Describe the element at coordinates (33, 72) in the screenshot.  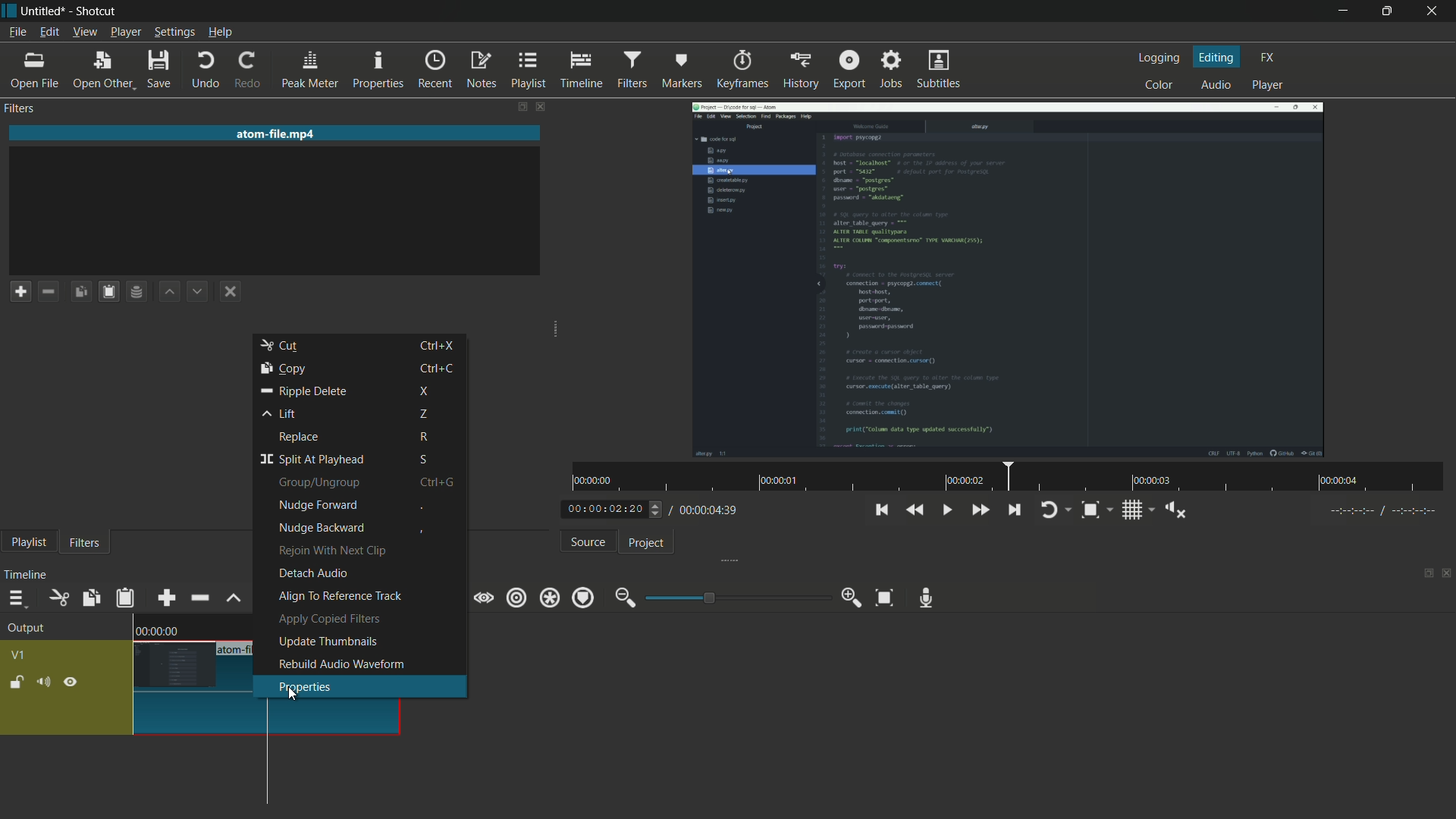
I see `open file` at that location.